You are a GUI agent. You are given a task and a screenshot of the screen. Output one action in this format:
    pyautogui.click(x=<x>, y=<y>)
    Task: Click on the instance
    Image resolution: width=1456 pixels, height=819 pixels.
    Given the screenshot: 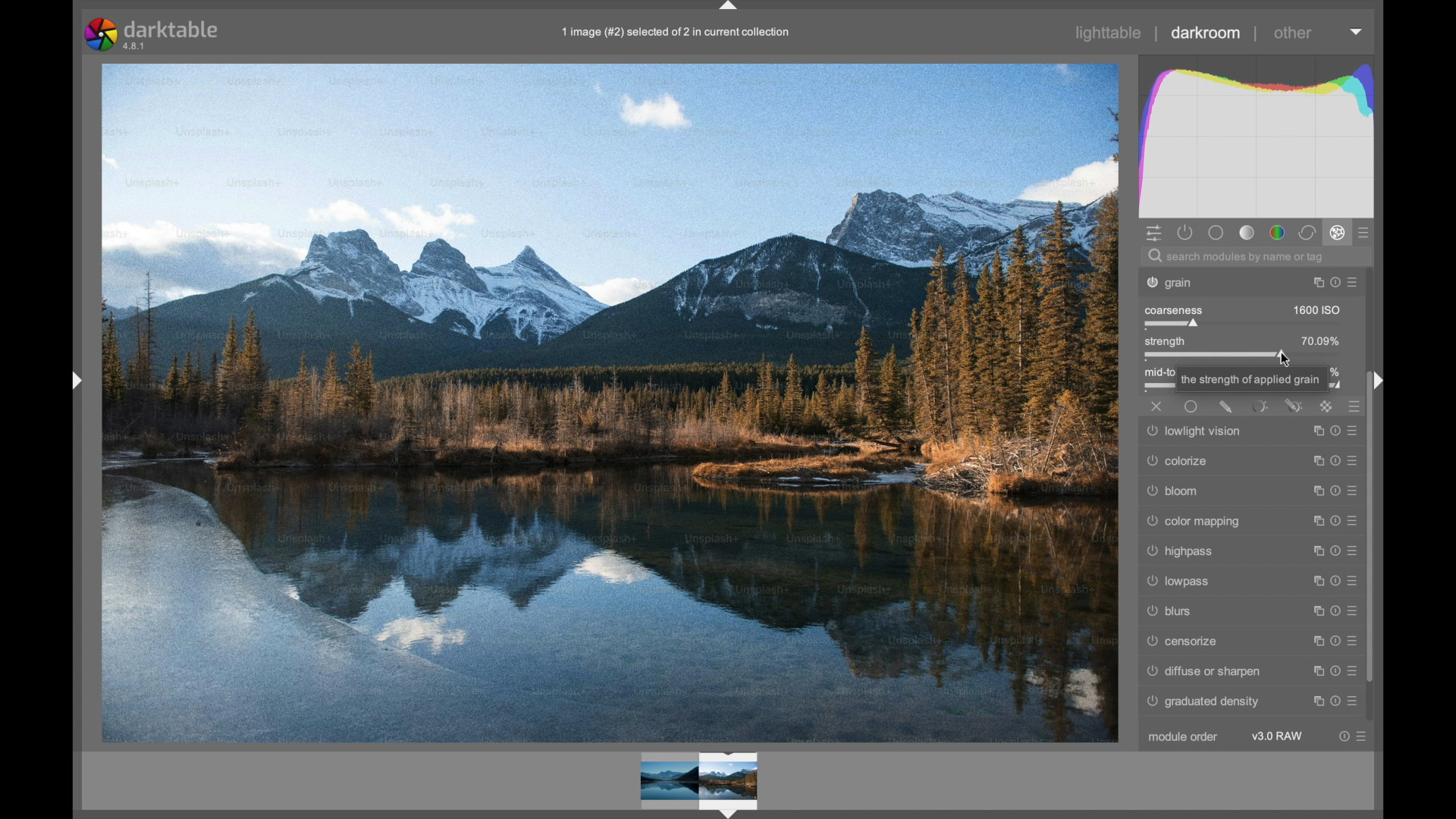 What is the action you would take?
    pyautogui.click(x=1313, y=552)
    